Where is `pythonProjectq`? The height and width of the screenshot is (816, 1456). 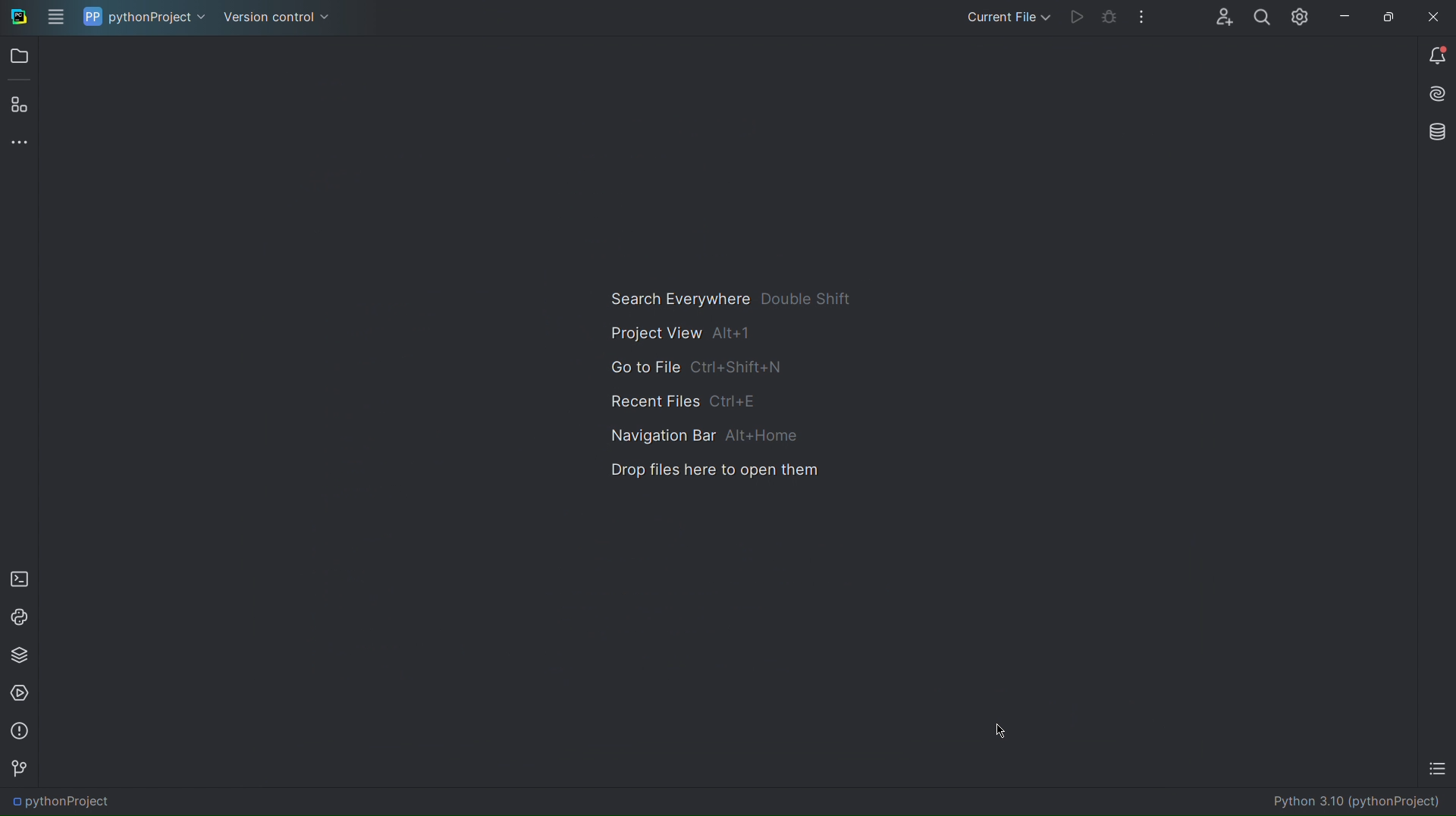 pythonProjectq is located at coordinates (60, 802).